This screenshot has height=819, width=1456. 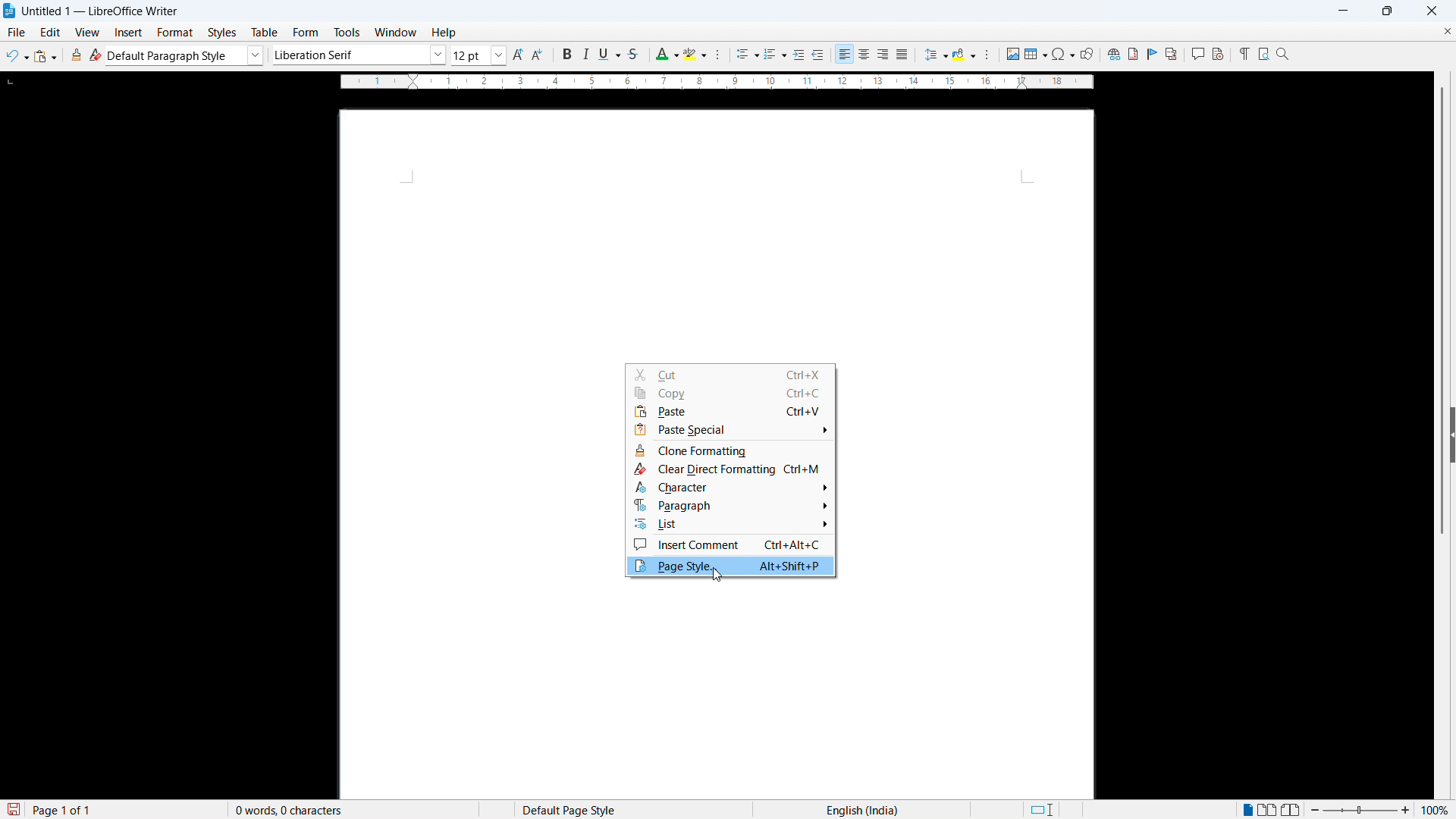 I want to click on Underline , so click(x=609, y=53).